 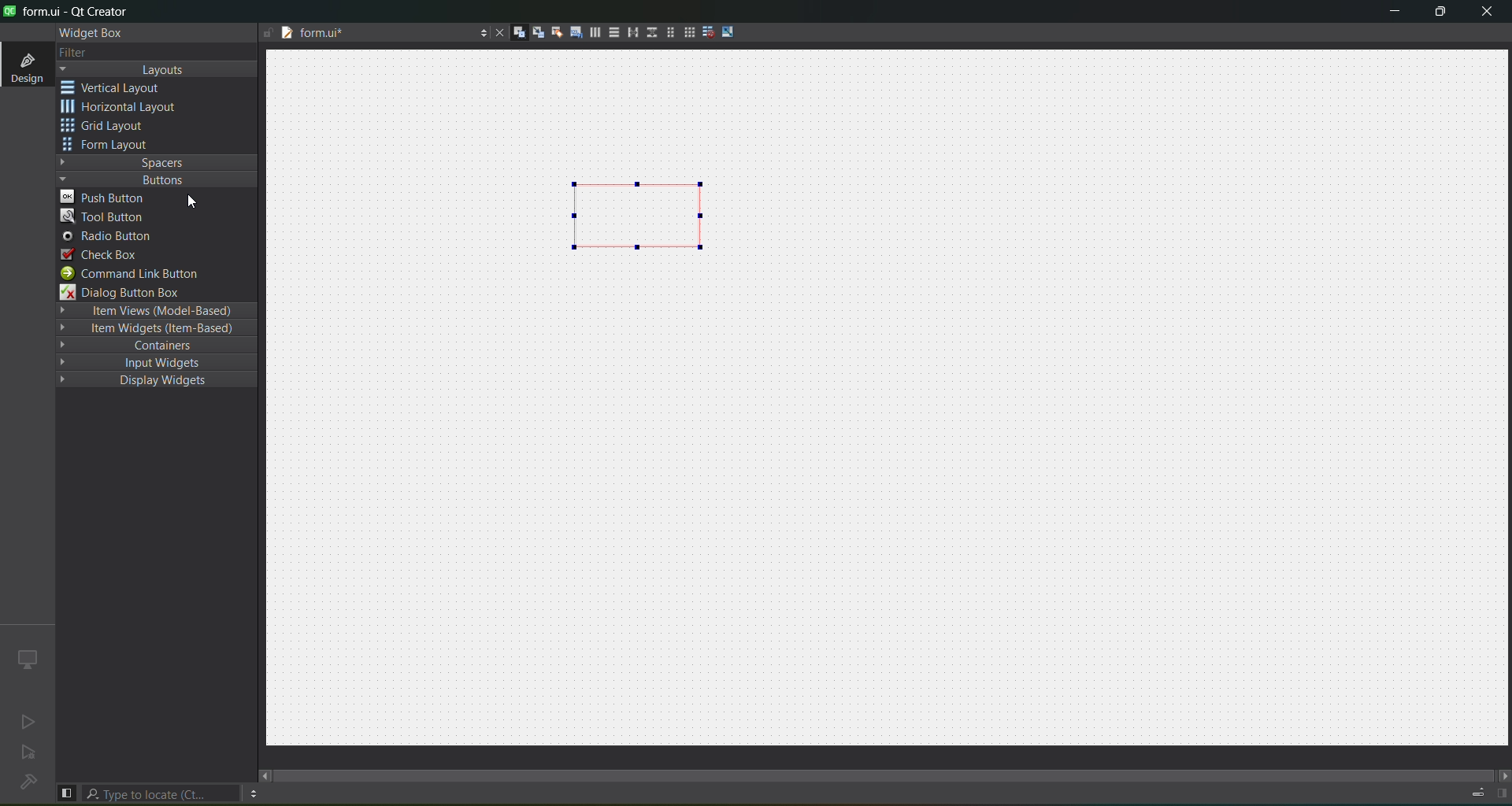 What do you see at coordinates (88, 32) in the screenshot?
I see `widget box` at bounding box center [88, 32].